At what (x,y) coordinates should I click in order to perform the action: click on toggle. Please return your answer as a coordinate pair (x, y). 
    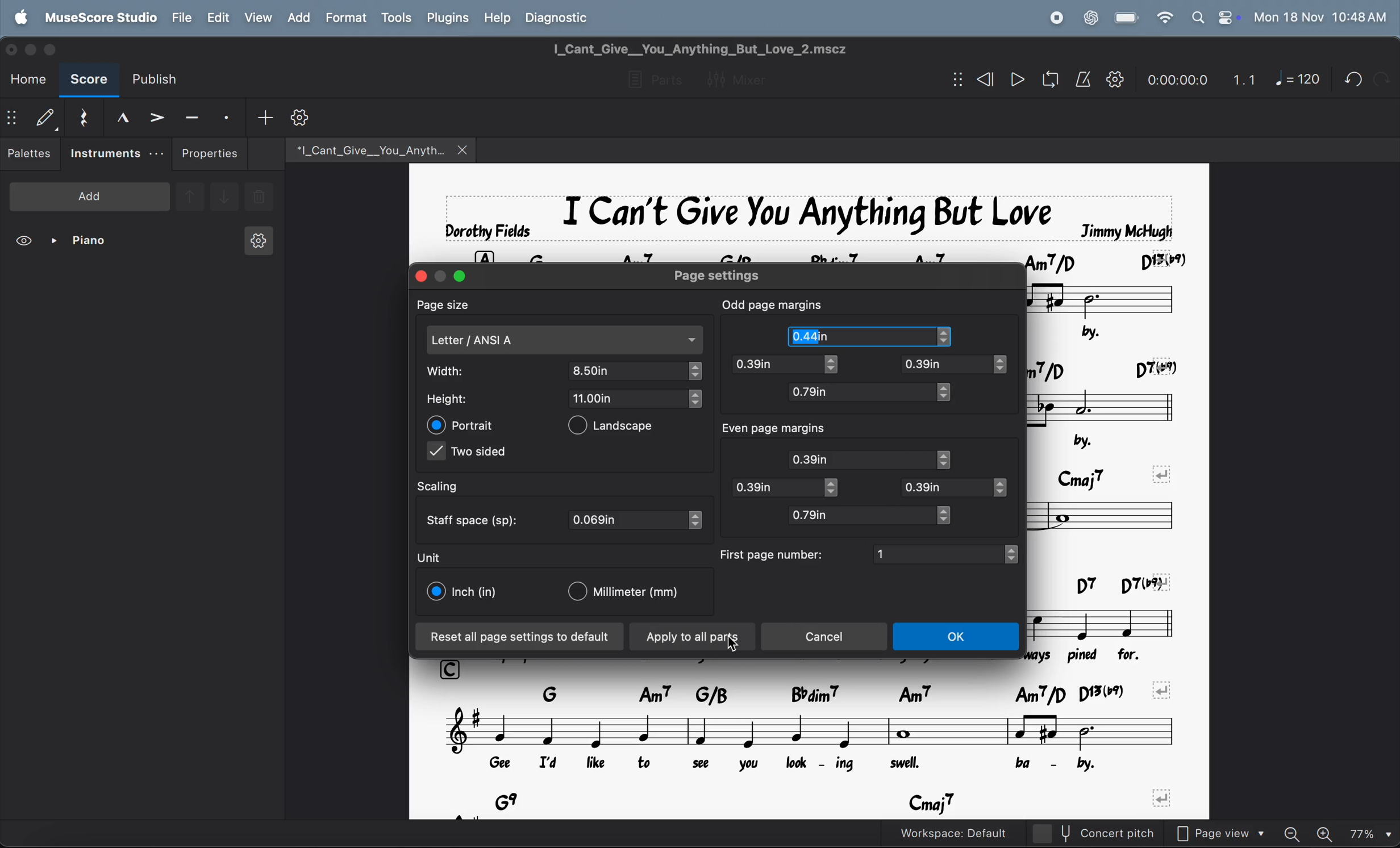
    Looking at the image, I should click on (697, 520).